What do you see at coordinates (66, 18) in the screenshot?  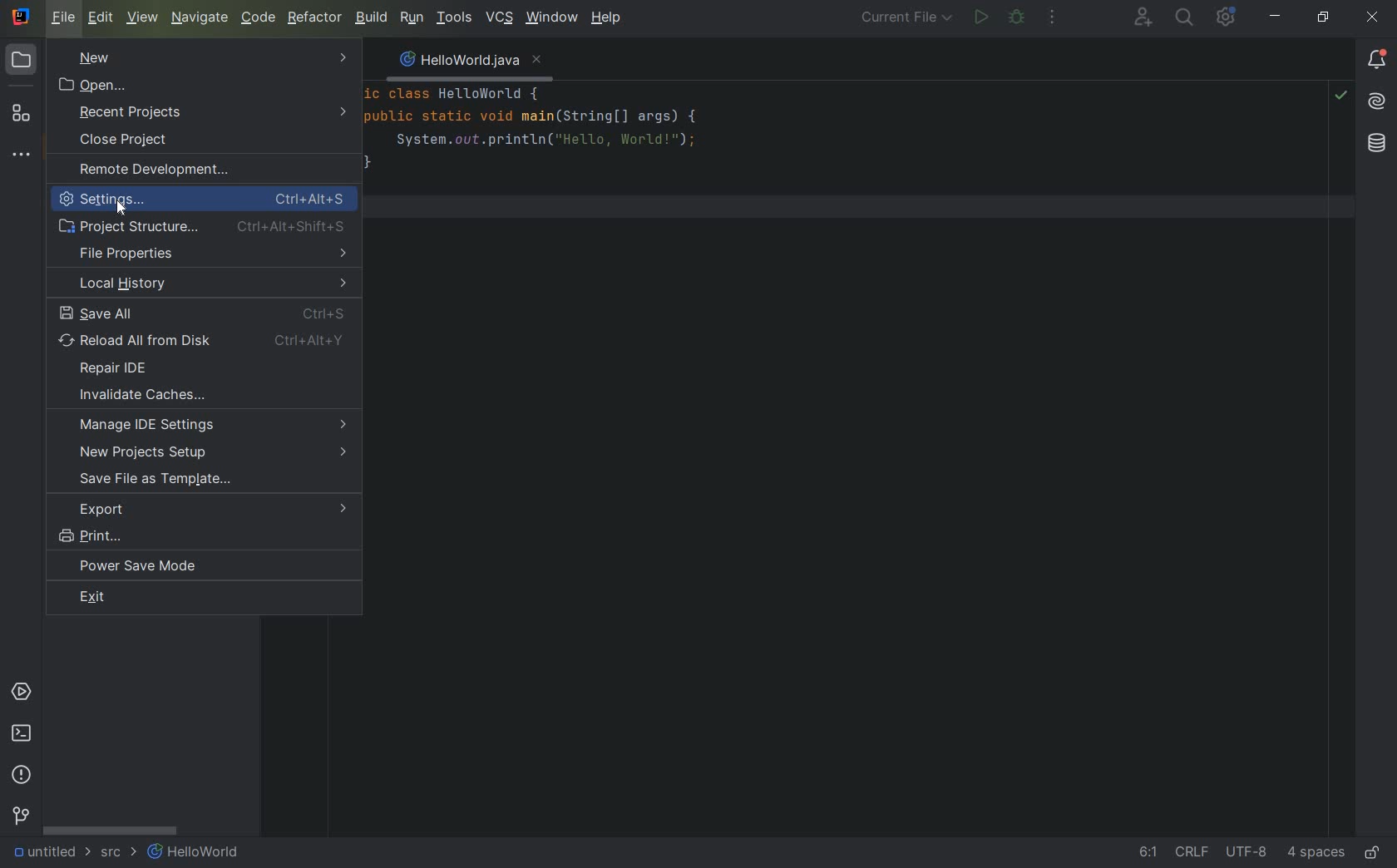 I see `FILE` at bounding box center [66, 18].